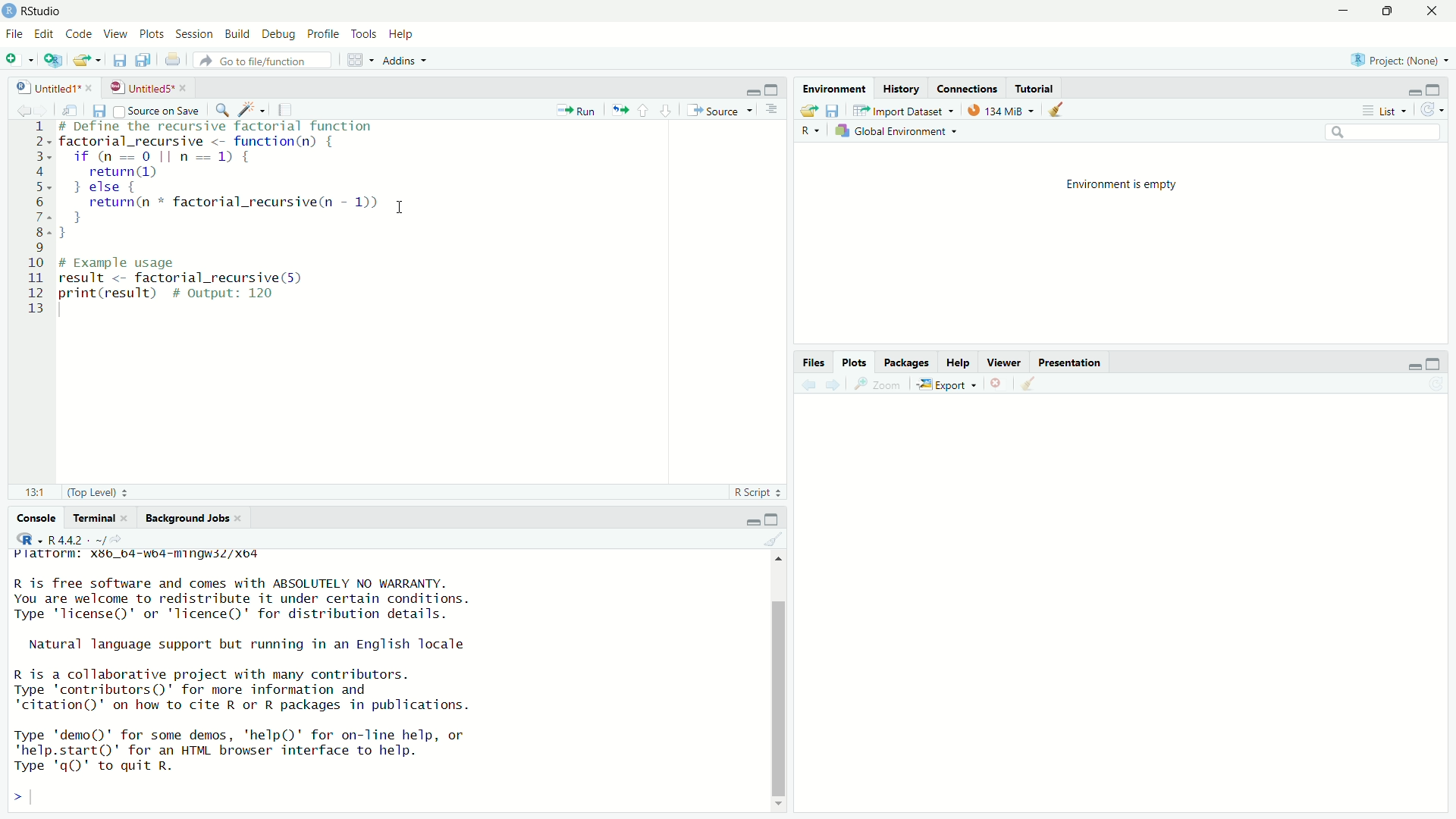 The height and width of the screenshot is (819, 1456). What do you see at coordinates (780, 540) in the screenshot?
I see `Clear console (Ctrl +L)` at bounding box center [780, 540].